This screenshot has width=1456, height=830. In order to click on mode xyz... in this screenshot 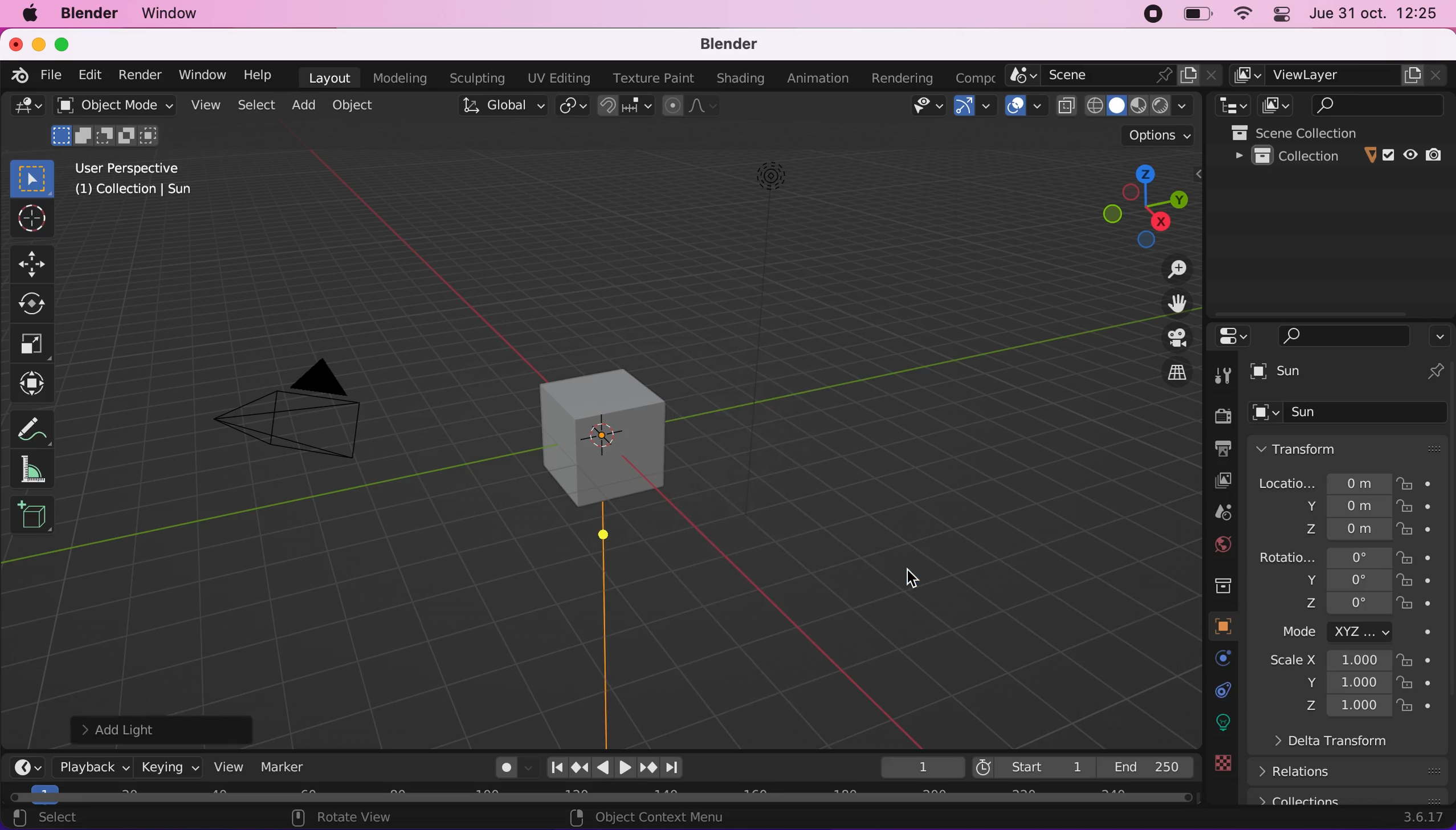, I will do `click(1351, 632)`.